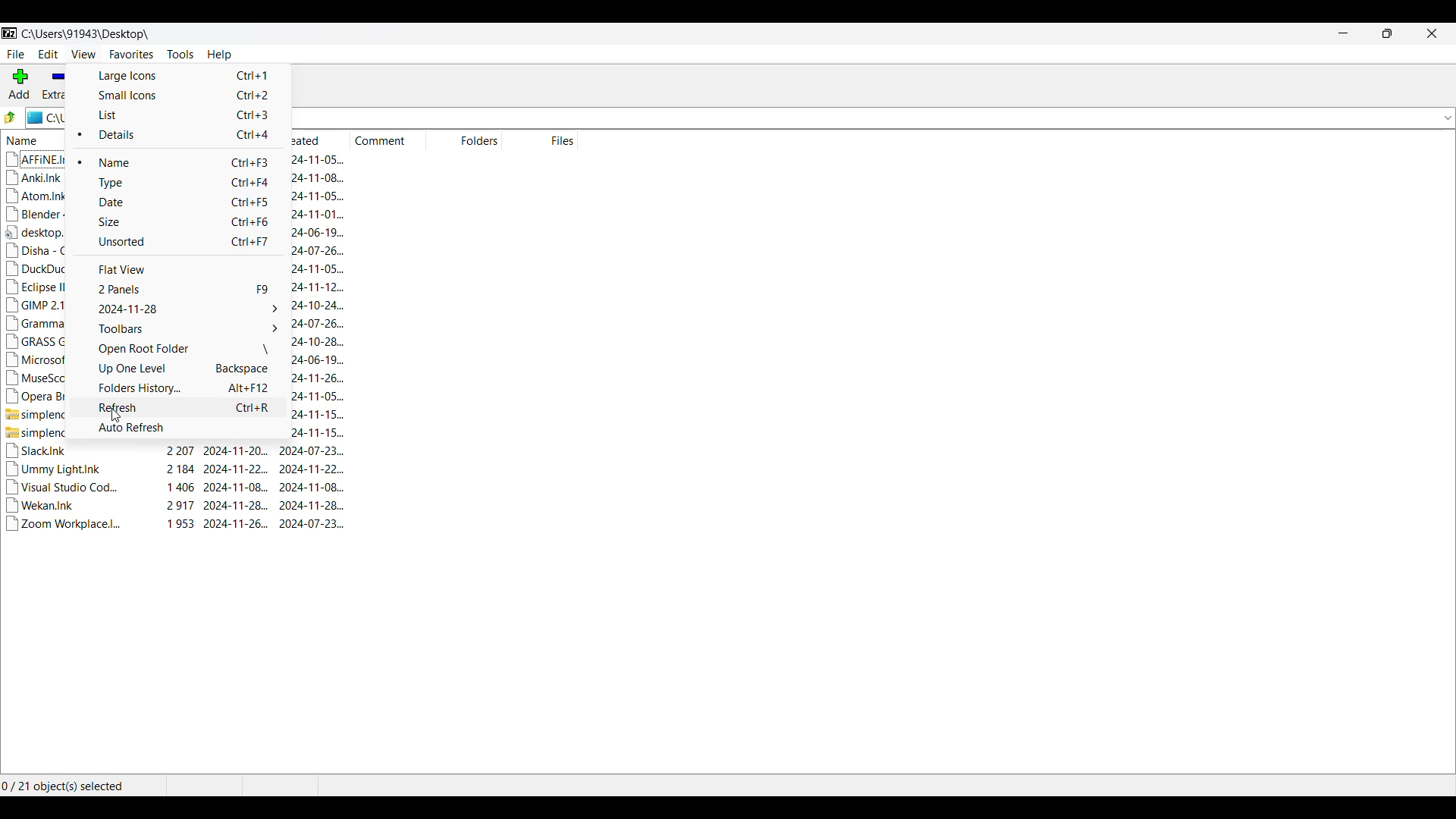 Image resolution: width=1456 pixels, height=819 pixels. What do you see at coordinates (48, 54) in the screenshot?
I see `Edit` at bounding box center [48, 54].